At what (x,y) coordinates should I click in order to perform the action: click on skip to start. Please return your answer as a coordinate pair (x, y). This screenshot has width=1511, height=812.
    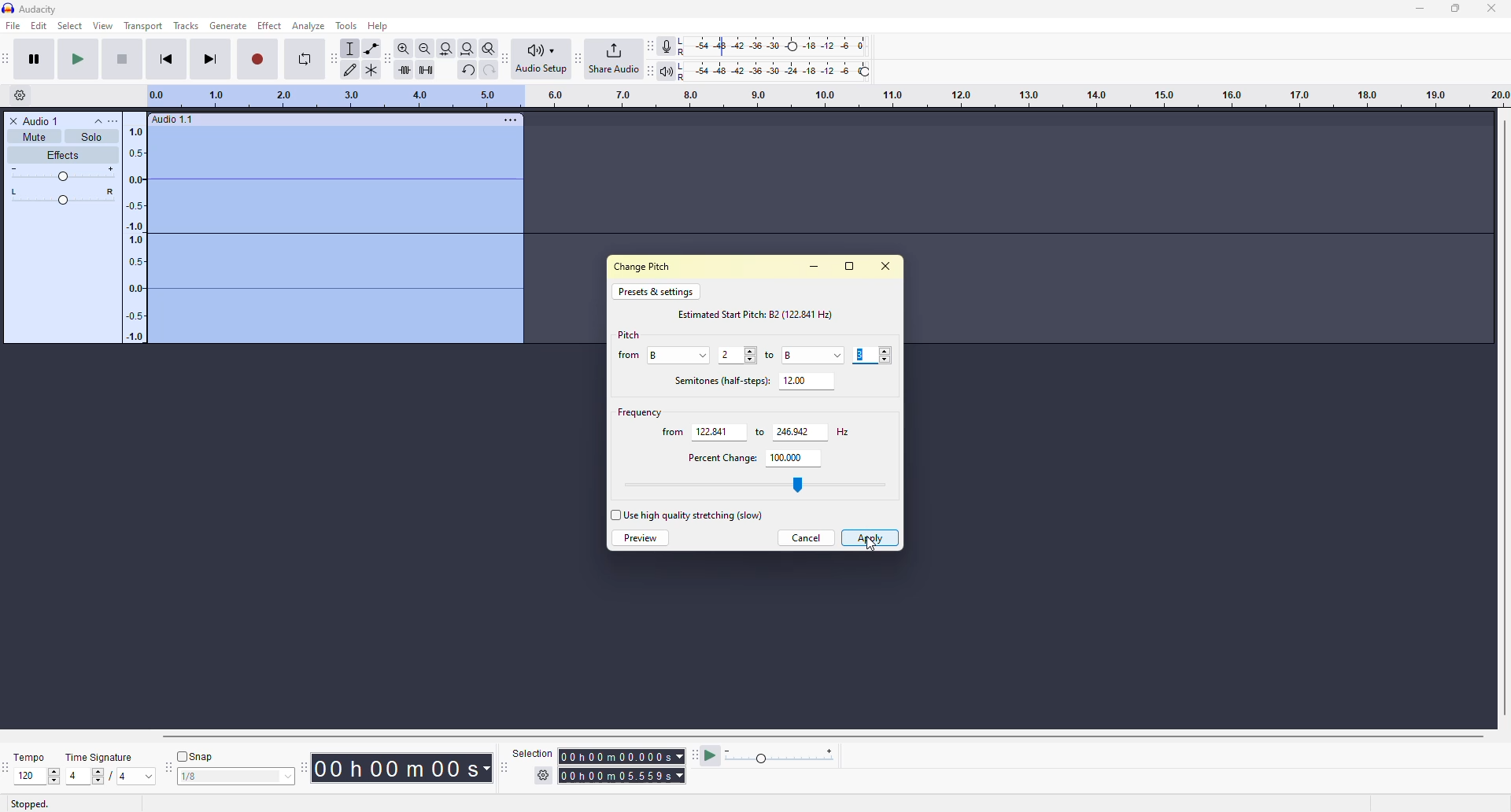
    Looking at the image, I should click on (166, 58).